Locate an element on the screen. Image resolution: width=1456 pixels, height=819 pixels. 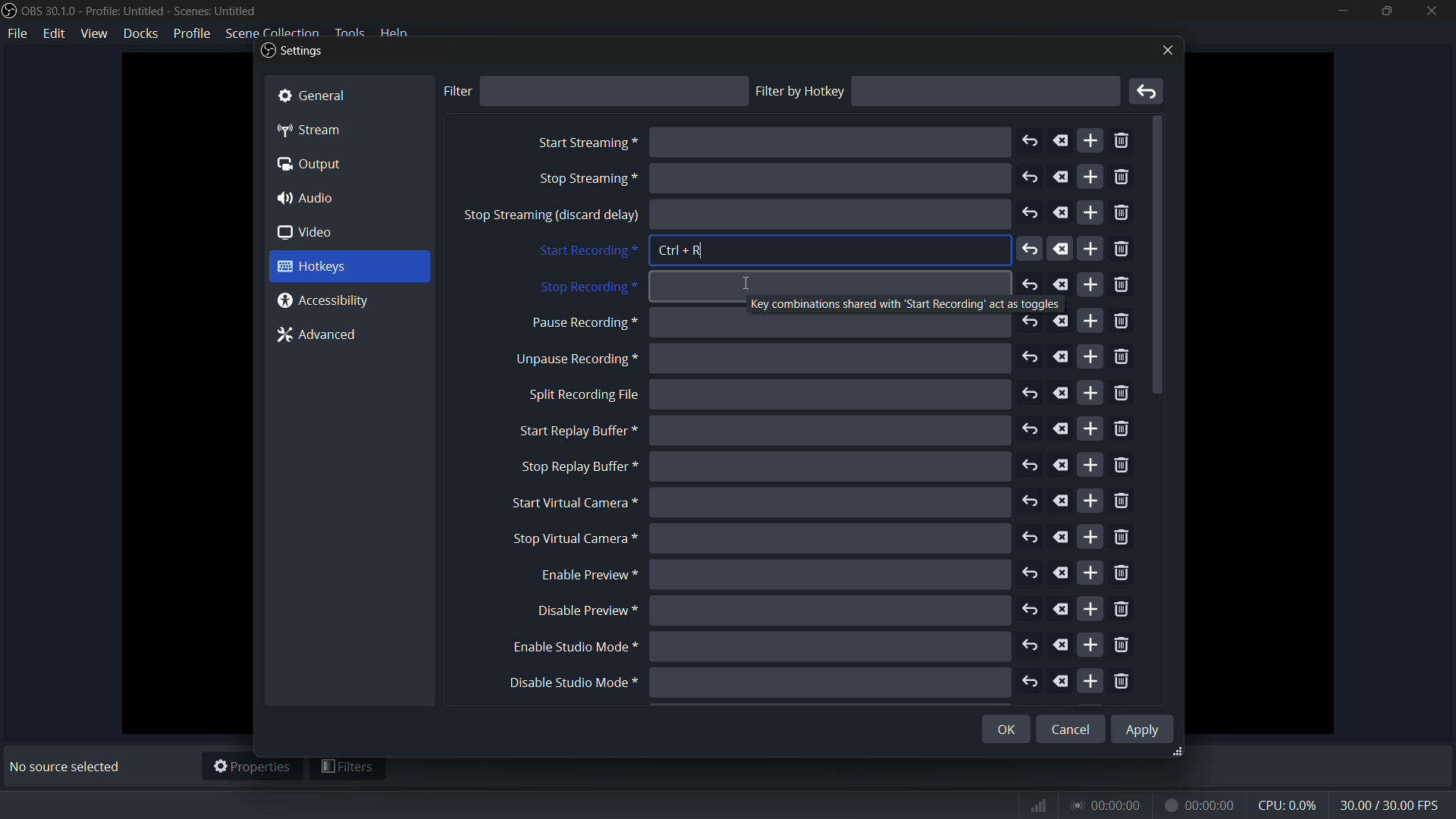
delete is located at coordinates (1062, 321).